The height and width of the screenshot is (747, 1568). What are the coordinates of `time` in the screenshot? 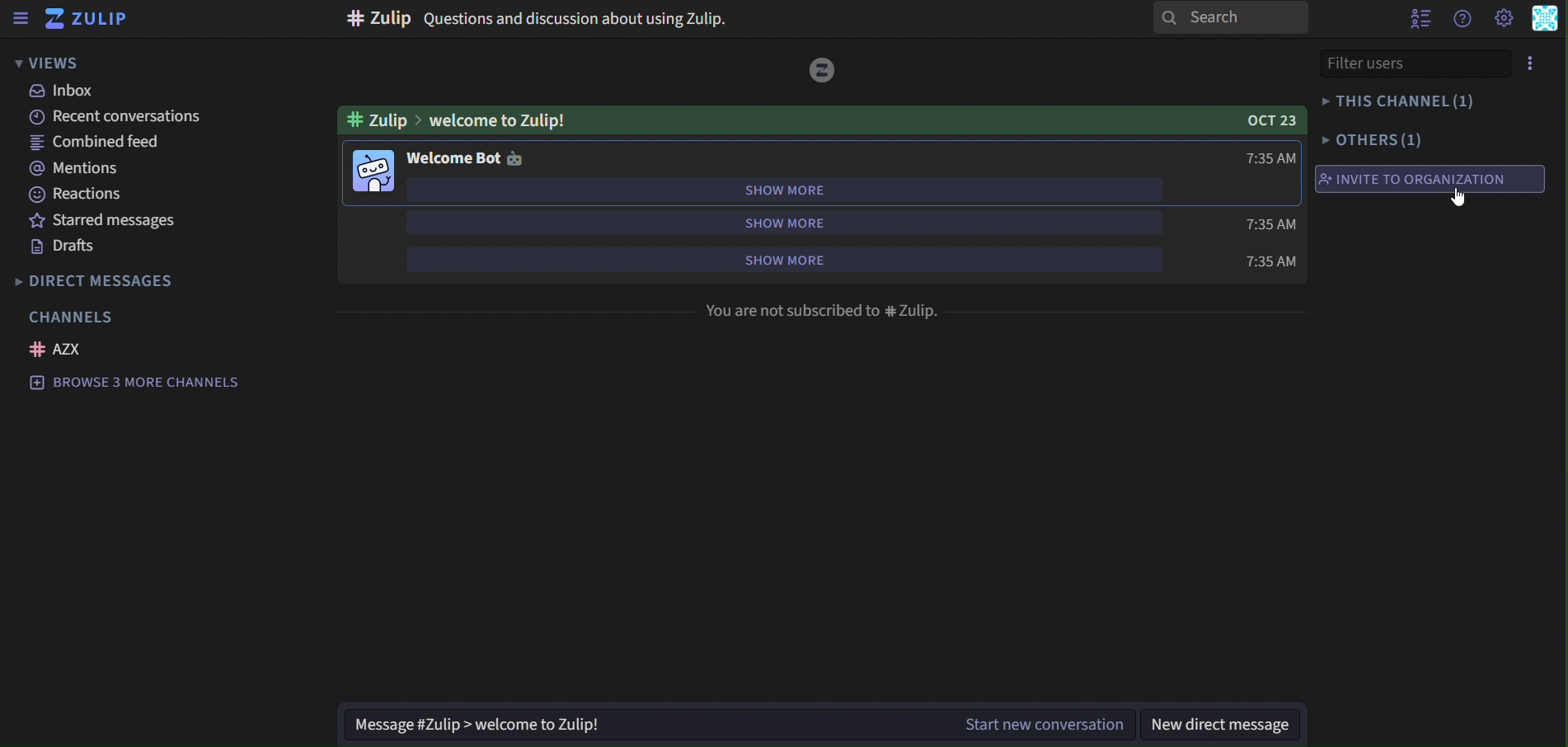 It's located at (1270, 159).